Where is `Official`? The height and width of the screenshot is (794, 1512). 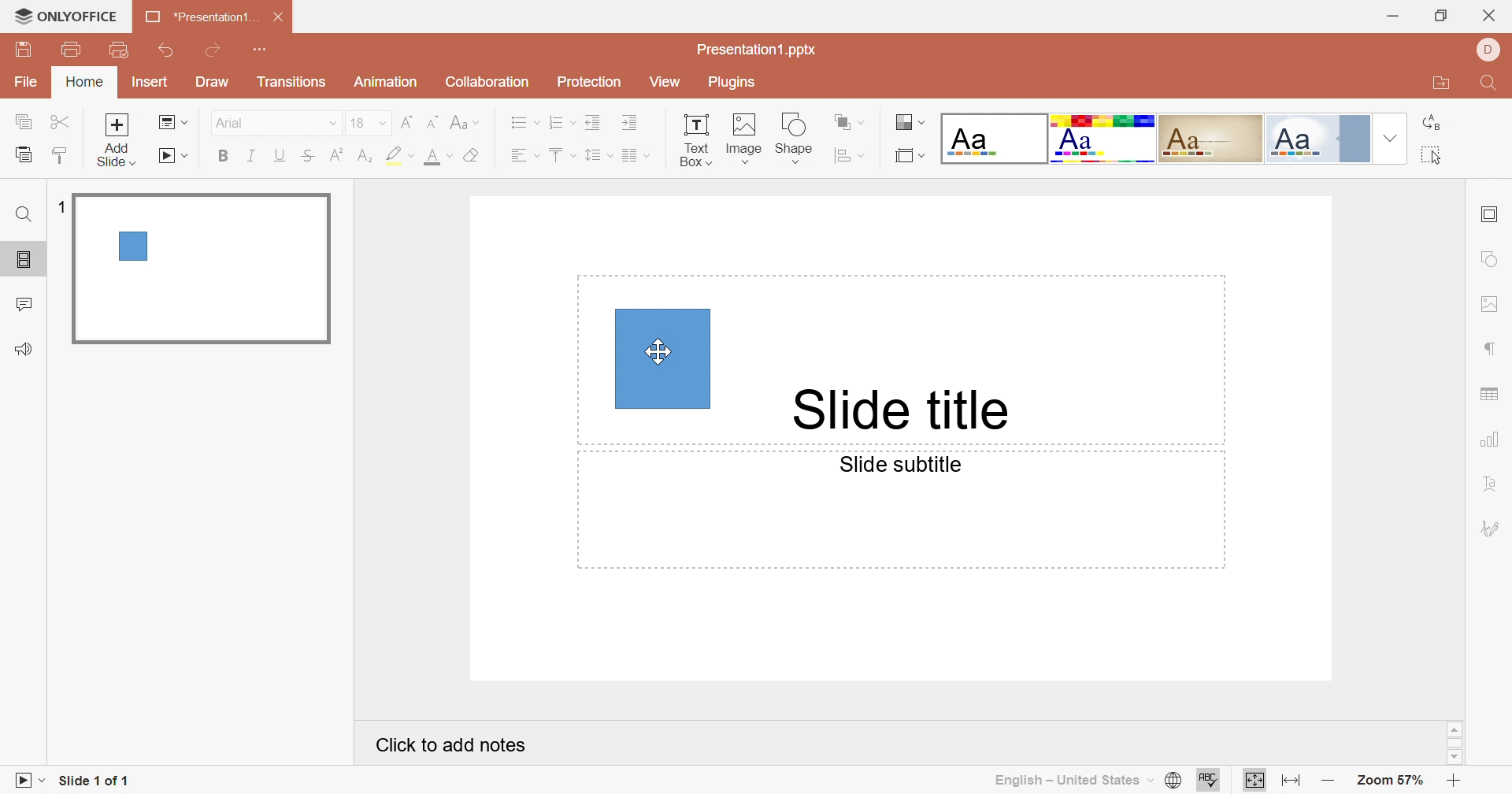 Official is located at coordinates (1324, 139).